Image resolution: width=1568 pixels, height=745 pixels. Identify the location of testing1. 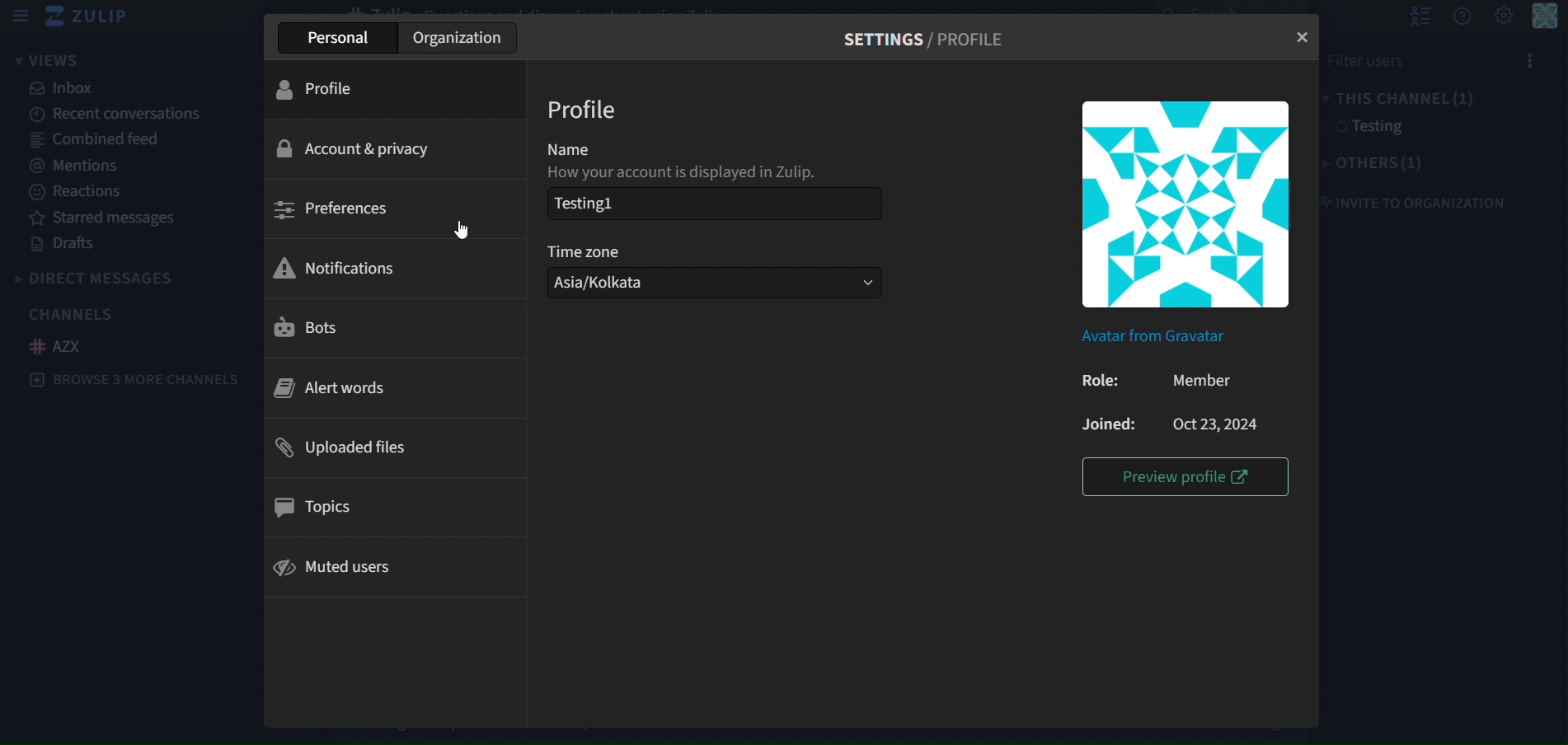
(1385, 127).